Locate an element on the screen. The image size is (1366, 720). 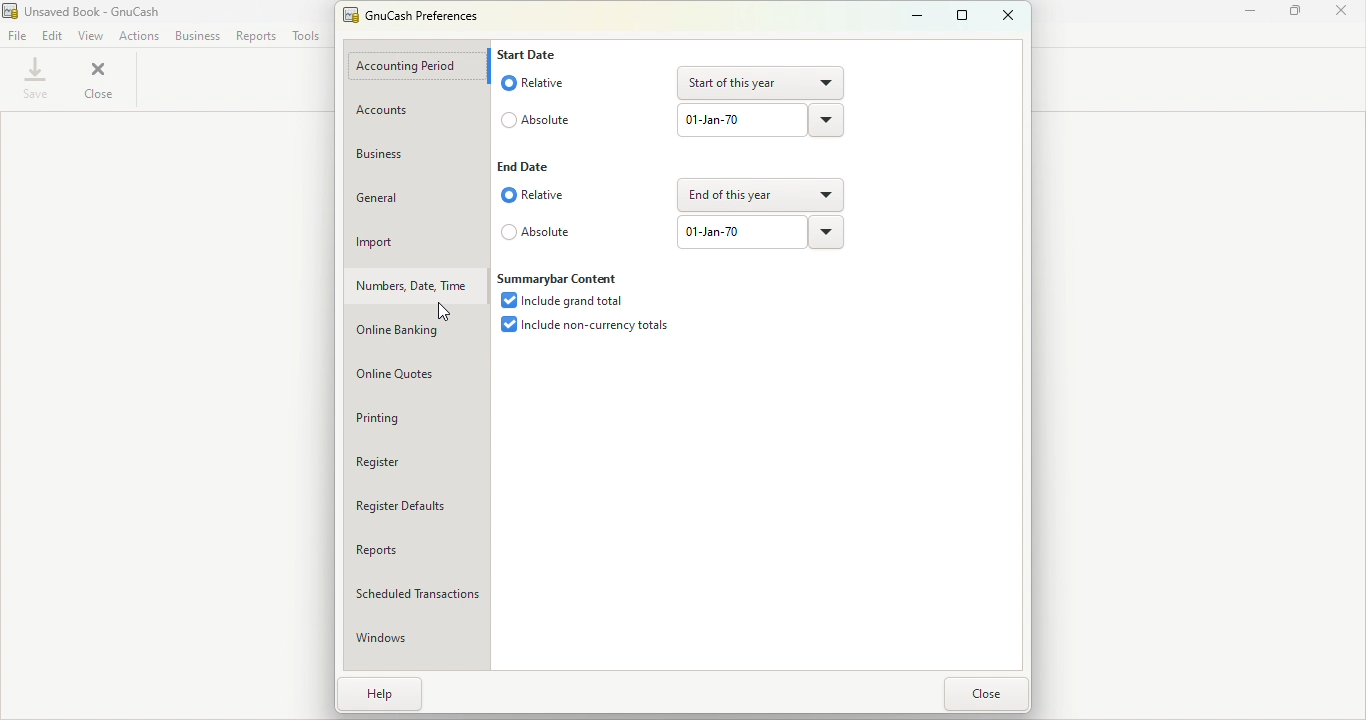
Maximize is located at coordinates (964, 17).